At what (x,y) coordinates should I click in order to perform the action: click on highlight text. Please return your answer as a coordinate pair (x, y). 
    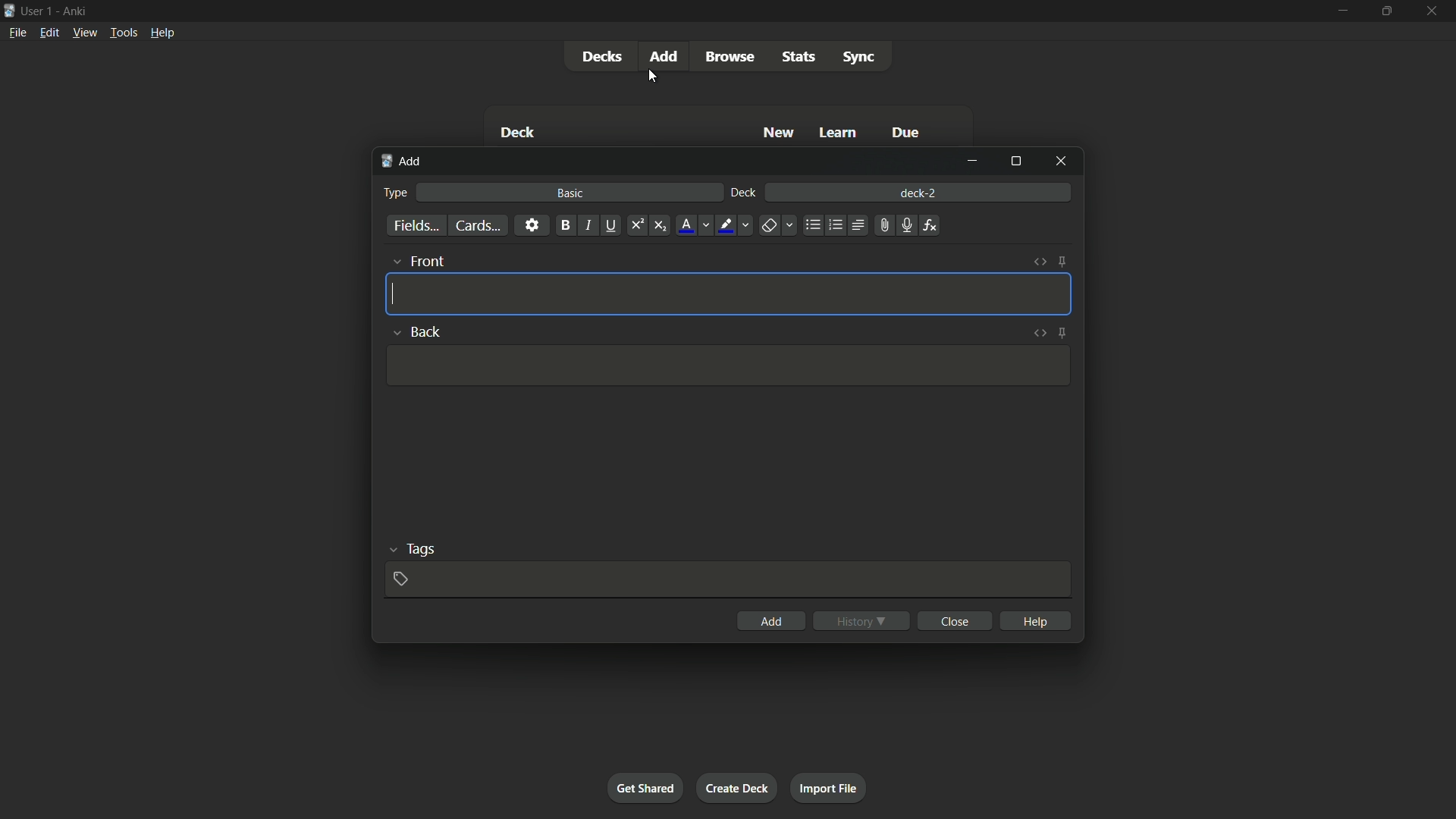
    Looking at the image, I should click on (736, 226).